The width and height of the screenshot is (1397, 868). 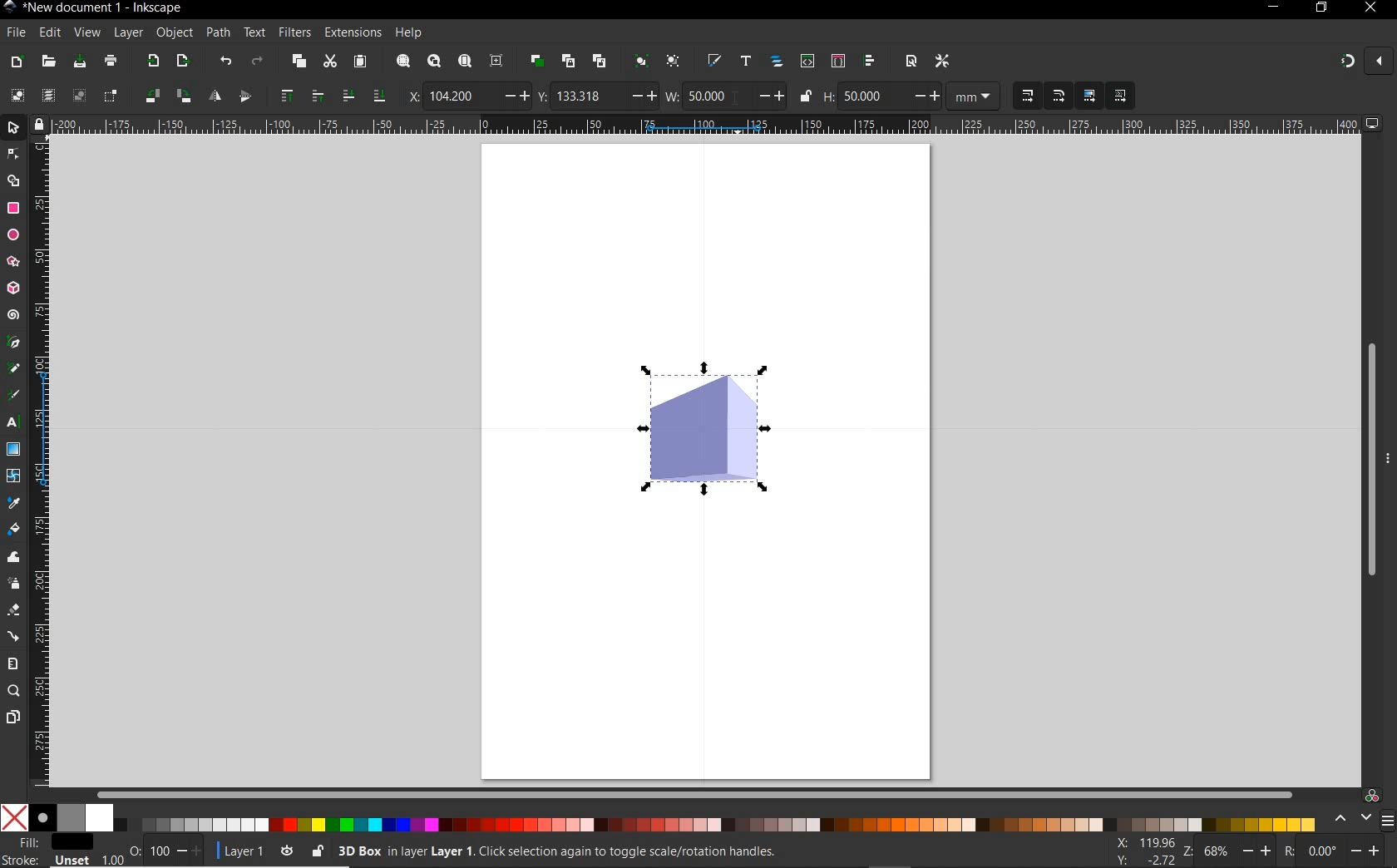 I want to click on lock, so click(x=38, y=124).